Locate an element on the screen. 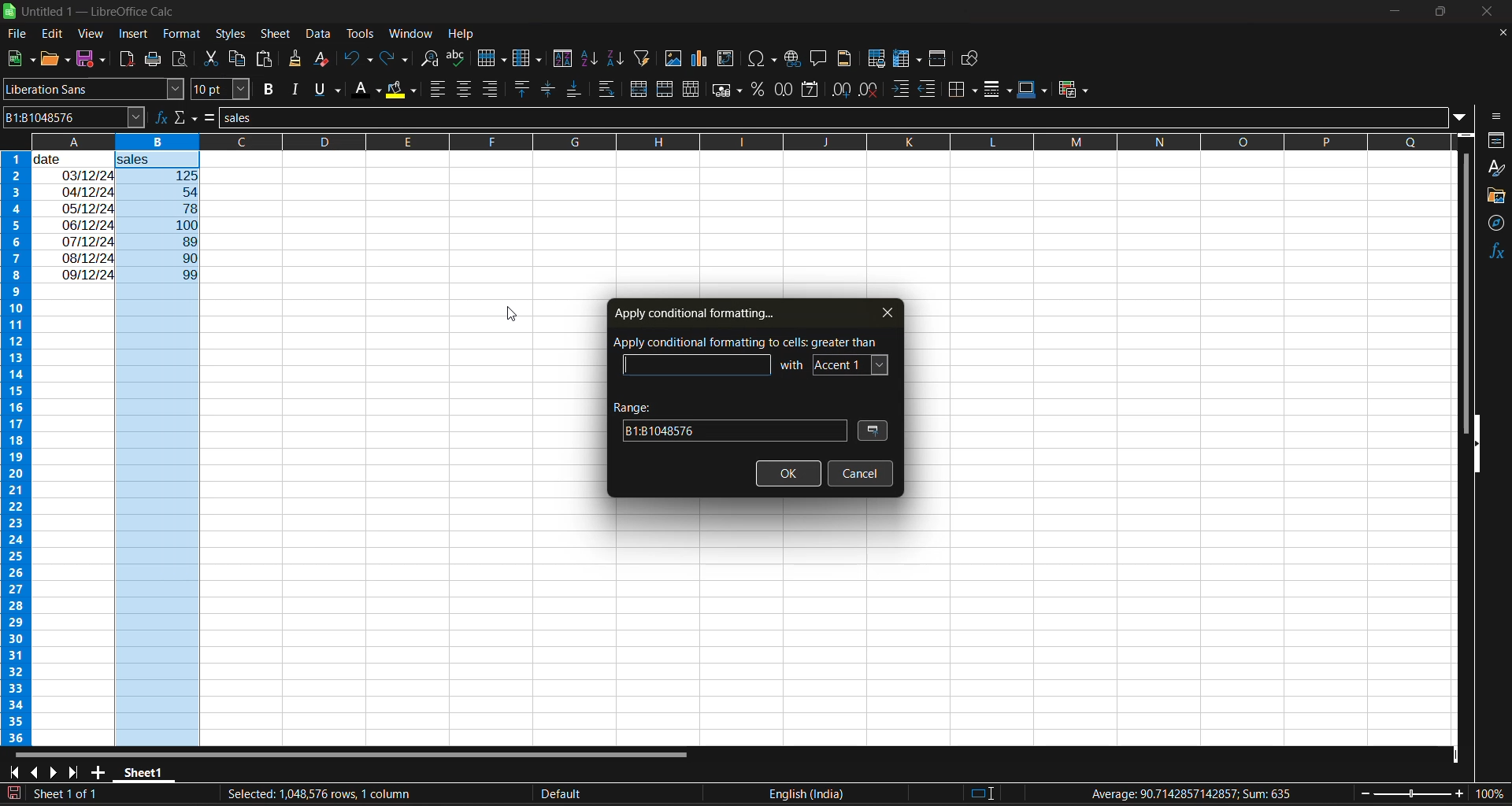  scroll to last sheet is located at coordinates (80, 773).